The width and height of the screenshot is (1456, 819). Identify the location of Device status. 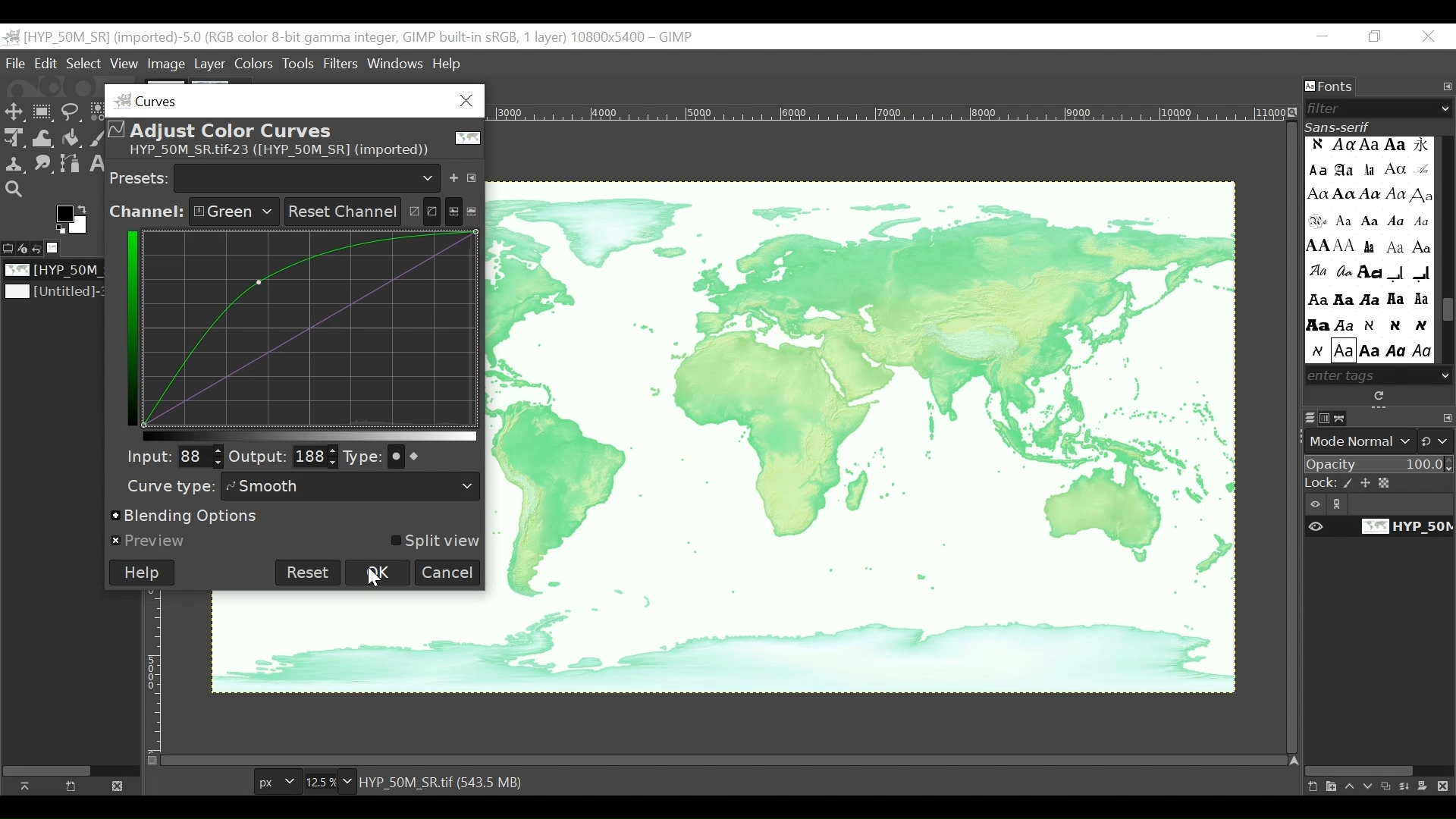
(25, 247).